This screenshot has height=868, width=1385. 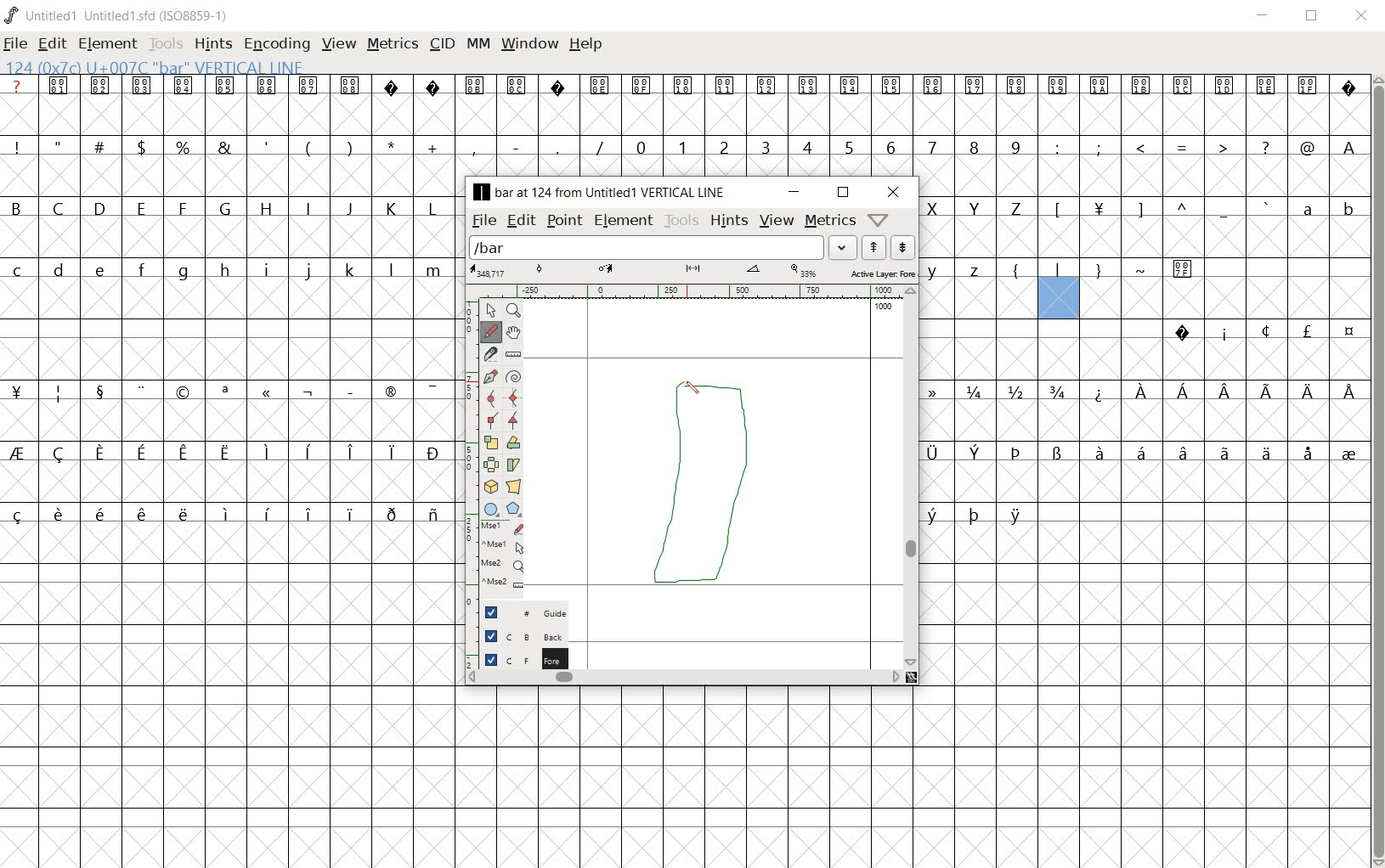 I want to click on background, so click(x=516, y=635).